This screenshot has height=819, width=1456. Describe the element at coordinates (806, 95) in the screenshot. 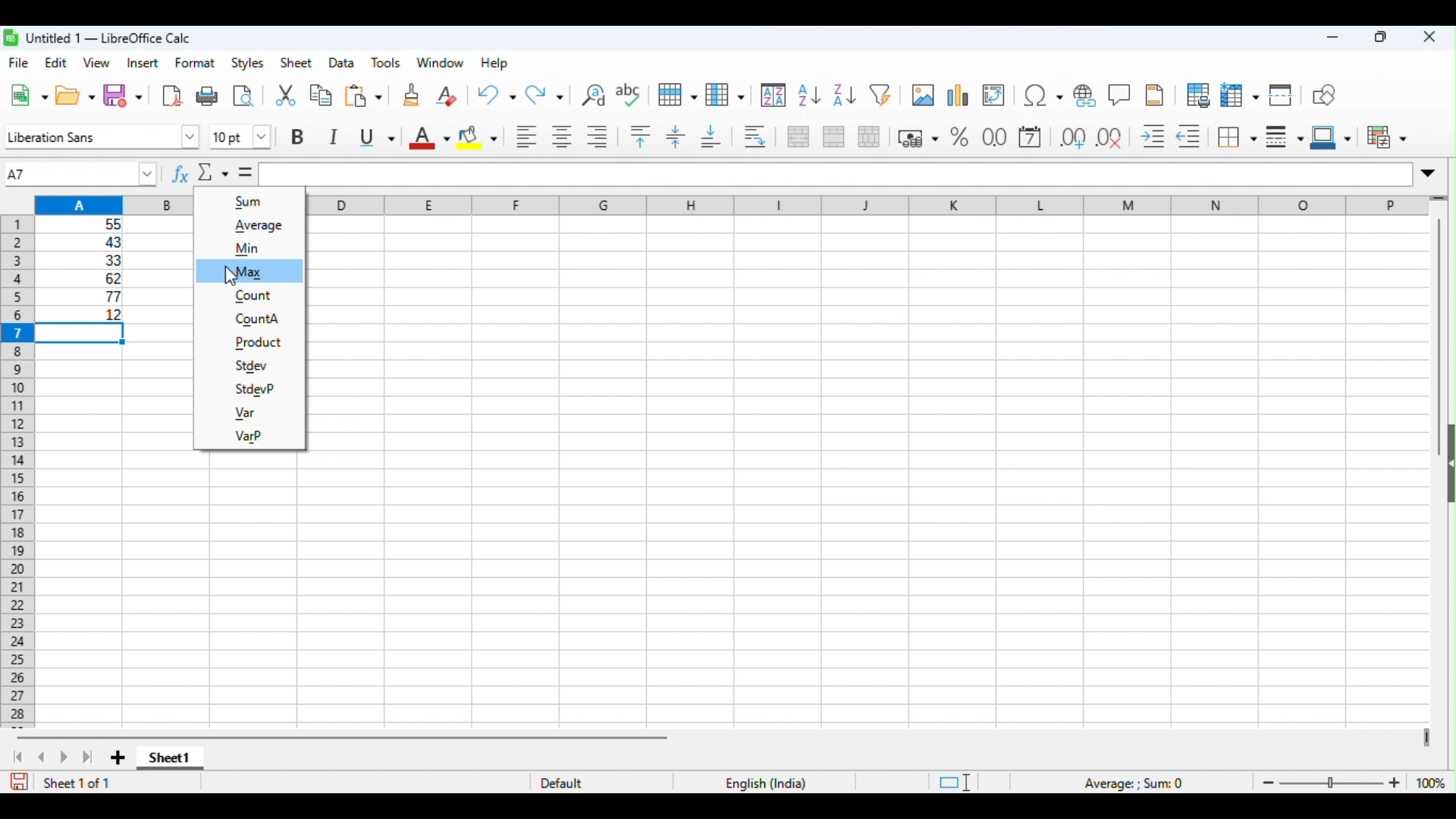

I see `sort ascending` at that location.